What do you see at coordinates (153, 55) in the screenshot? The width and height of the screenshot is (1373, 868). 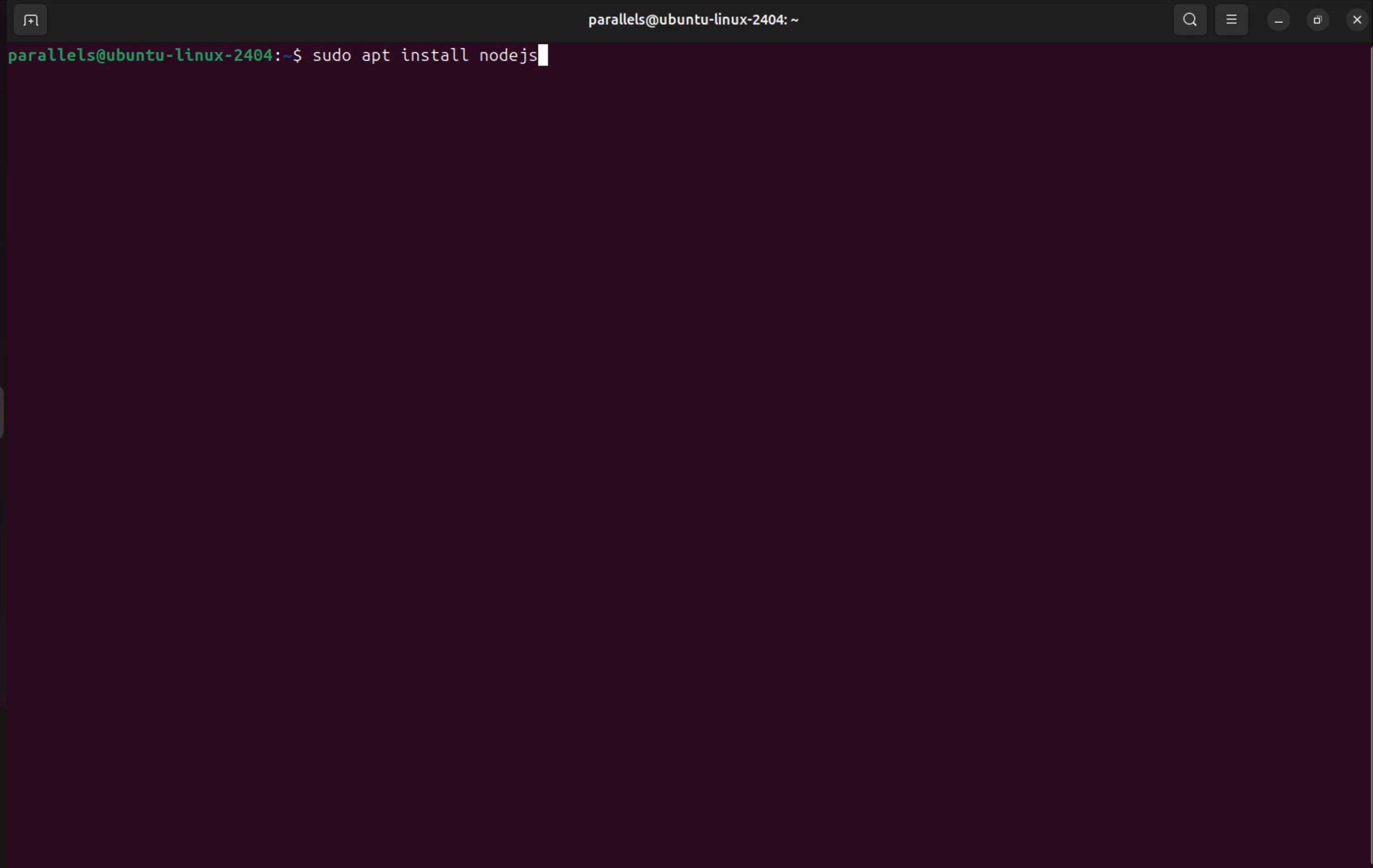 I see `parallels@ubuntu-linux-2404: ~$` at bounding box center [153, 55].